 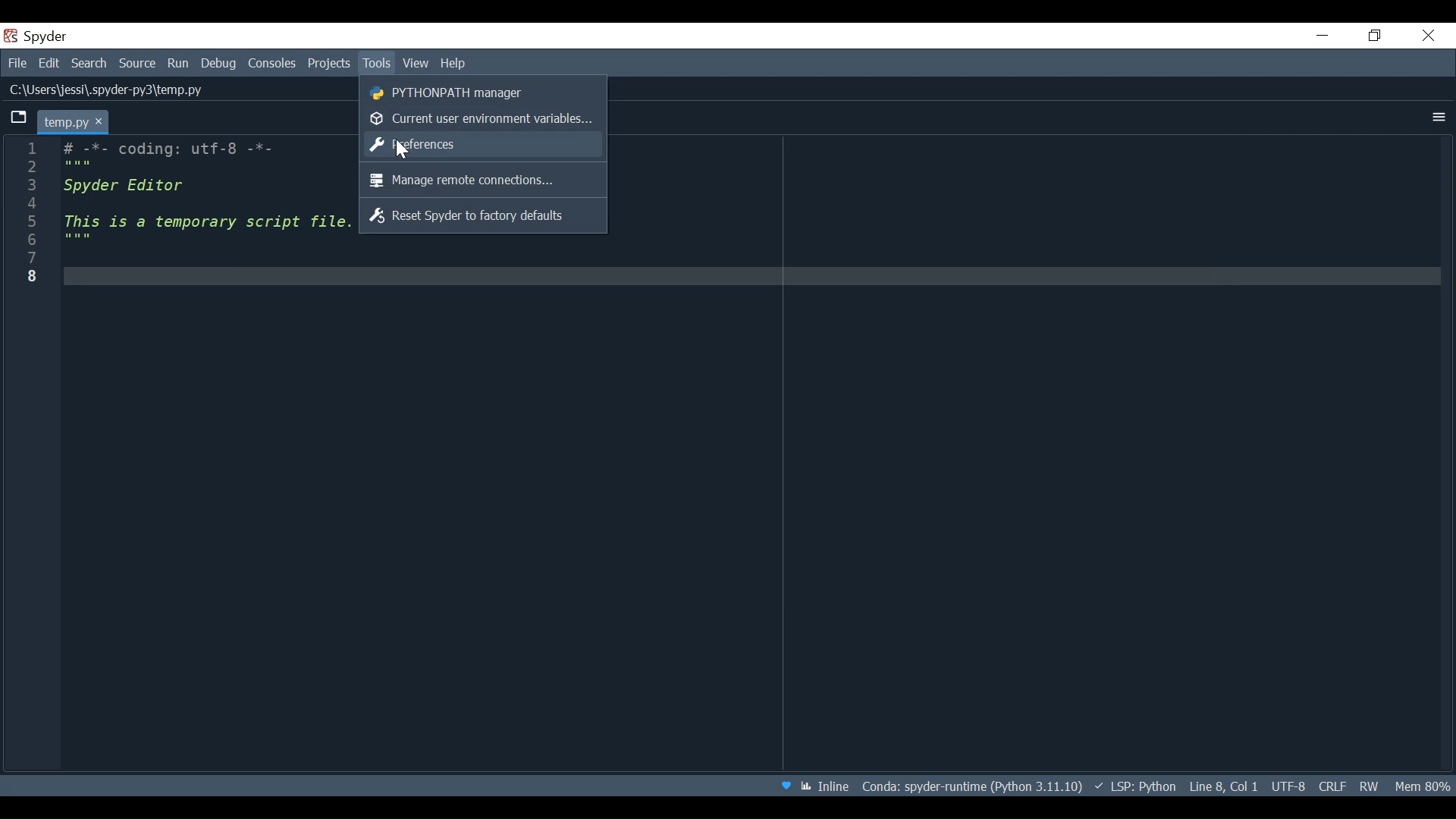 I want to click on Debug, so click(x=221, y=64).